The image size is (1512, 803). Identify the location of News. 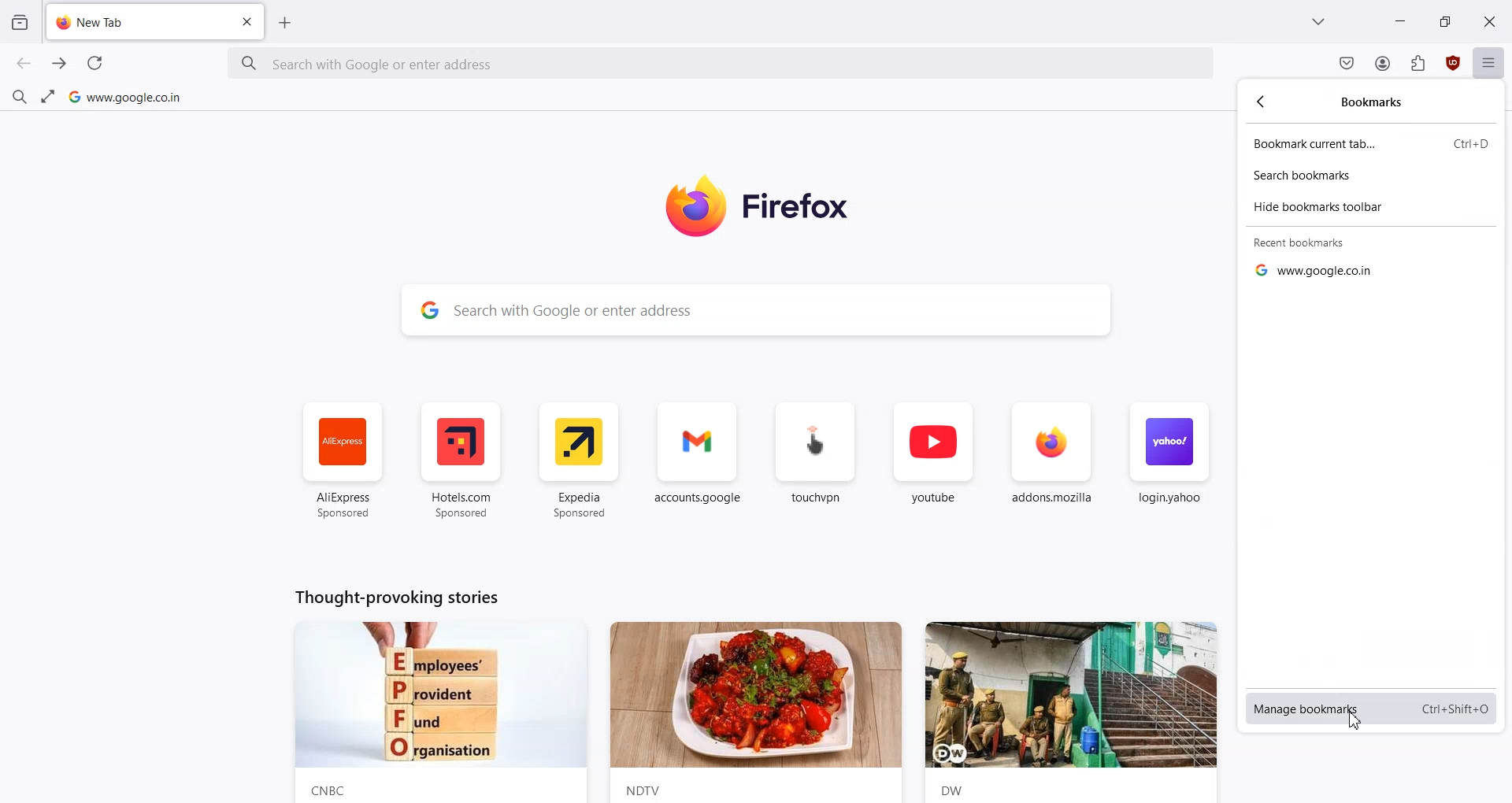
(756, 712).